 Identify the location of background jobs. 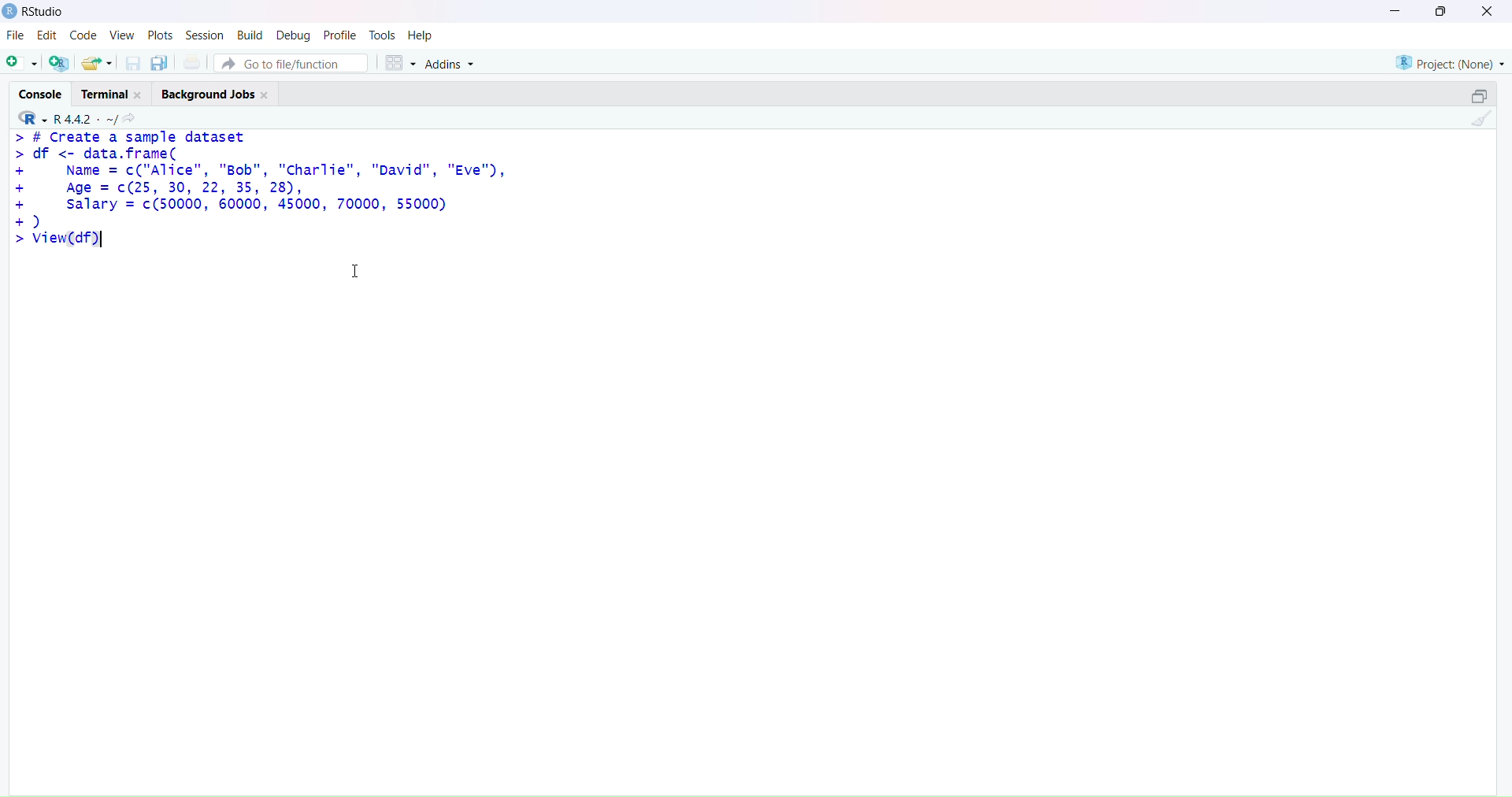
(217, 94).